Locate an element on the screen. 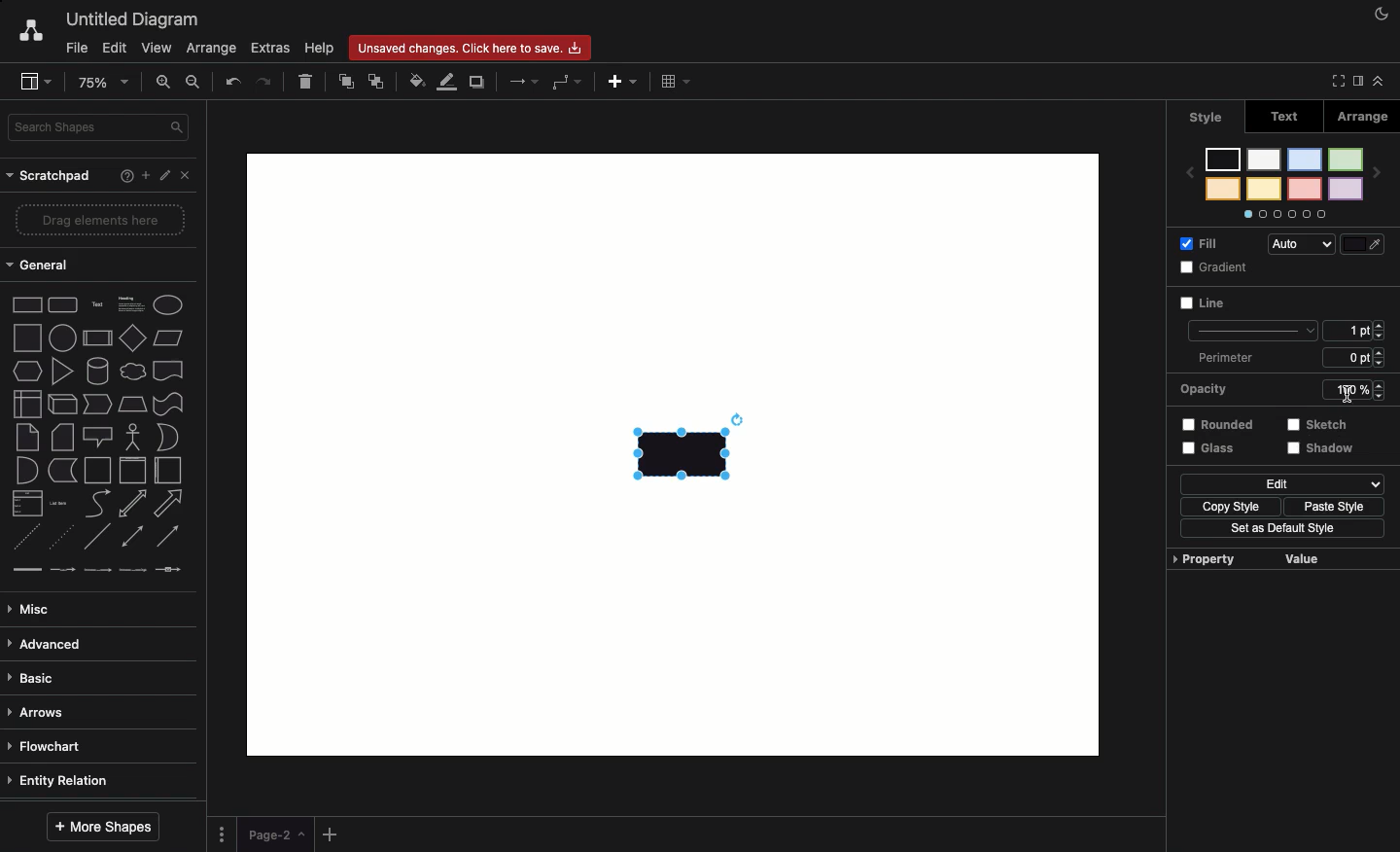 This screenshot has height=852, width=1400. Auto is located at coordinates (1302, 243).